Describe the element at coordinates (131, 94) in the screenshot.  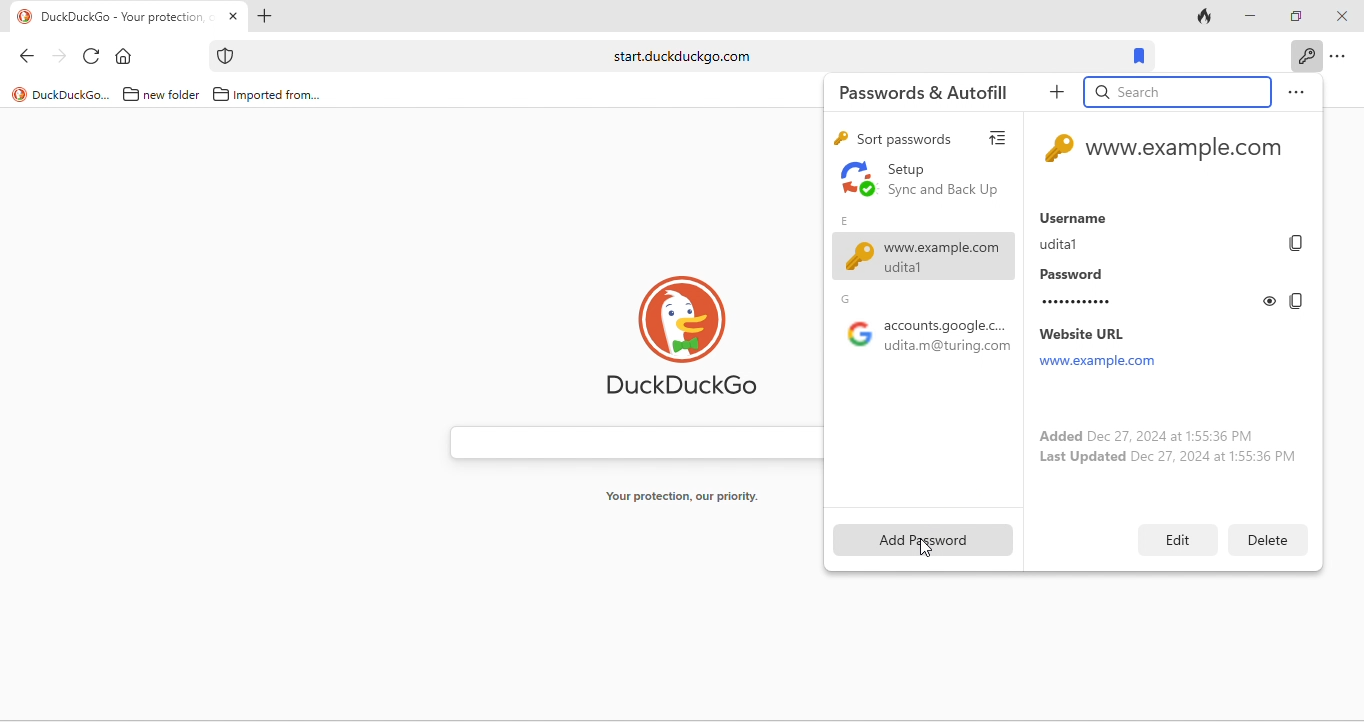
I see `folder icon` at that location.